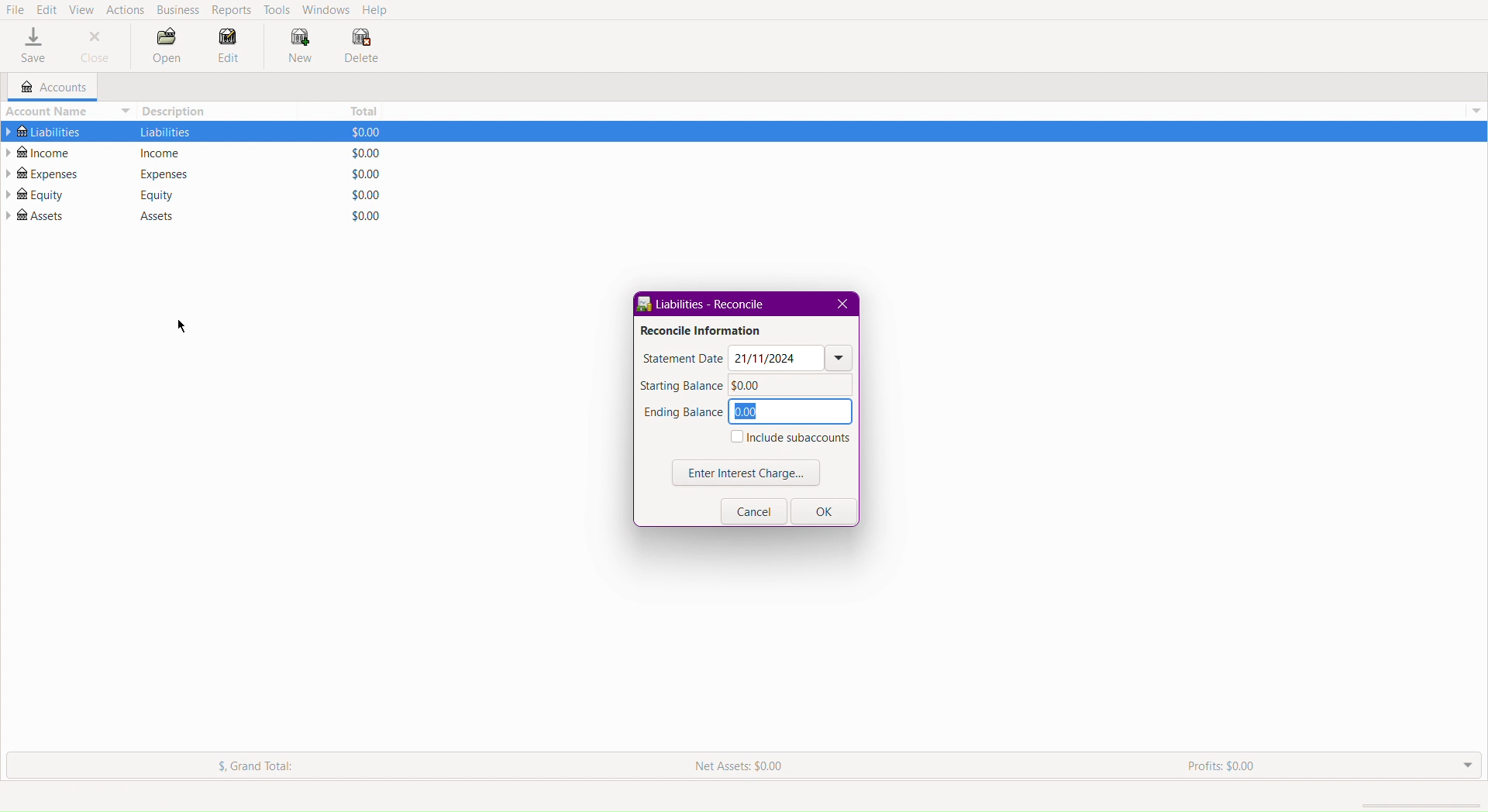 The image size is (1488, 812). What do you see at coordinates (362, 47) in the screenshot?
I see `Delete` at bounding box center [362, 47].